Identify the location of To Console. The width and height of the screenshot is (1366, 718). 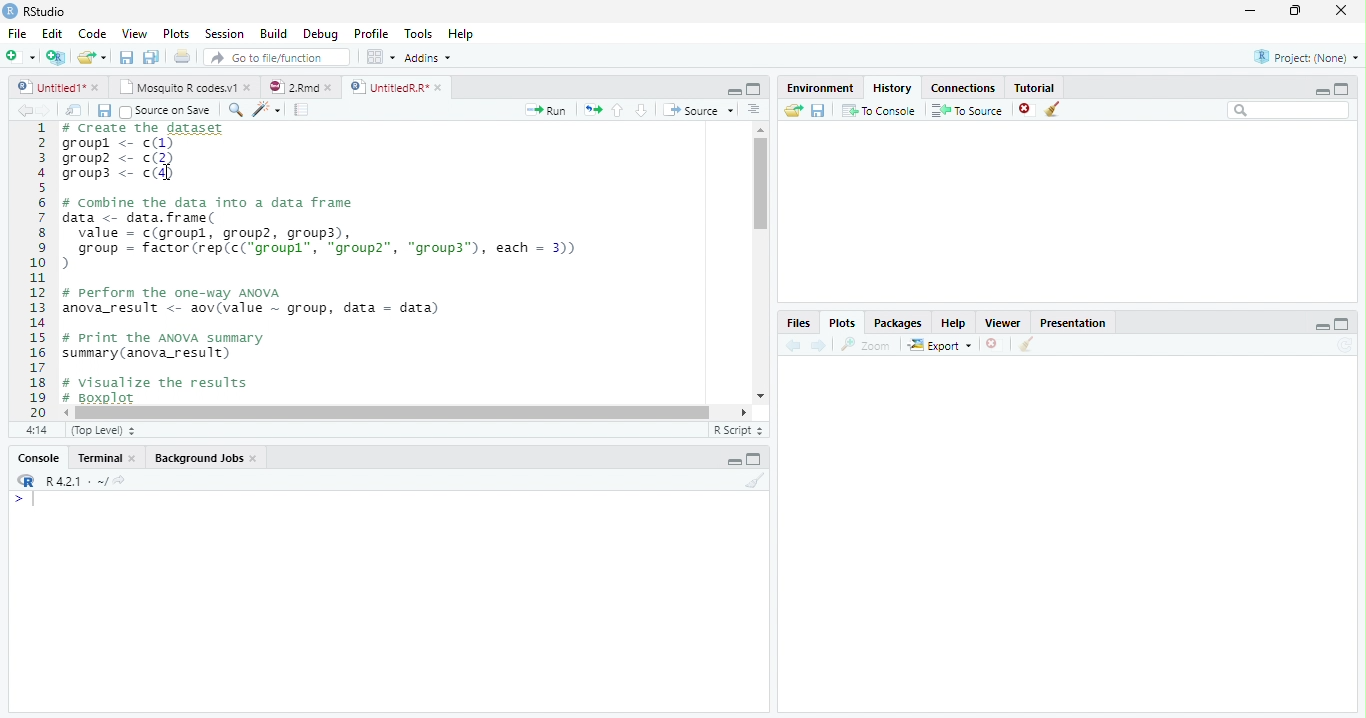
(879, 110).